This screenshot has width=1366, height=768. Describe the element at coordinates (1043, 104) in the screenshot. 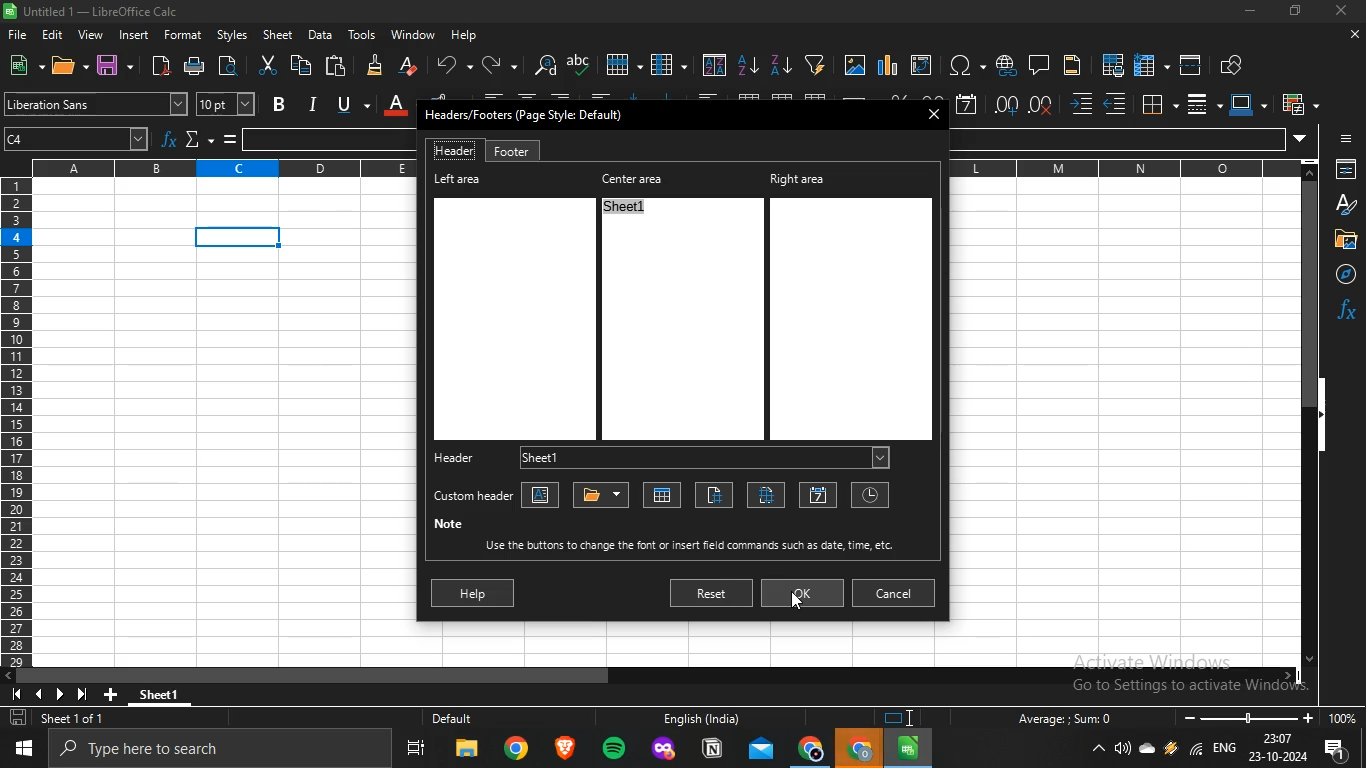

I see `delete decimal place` at that location.